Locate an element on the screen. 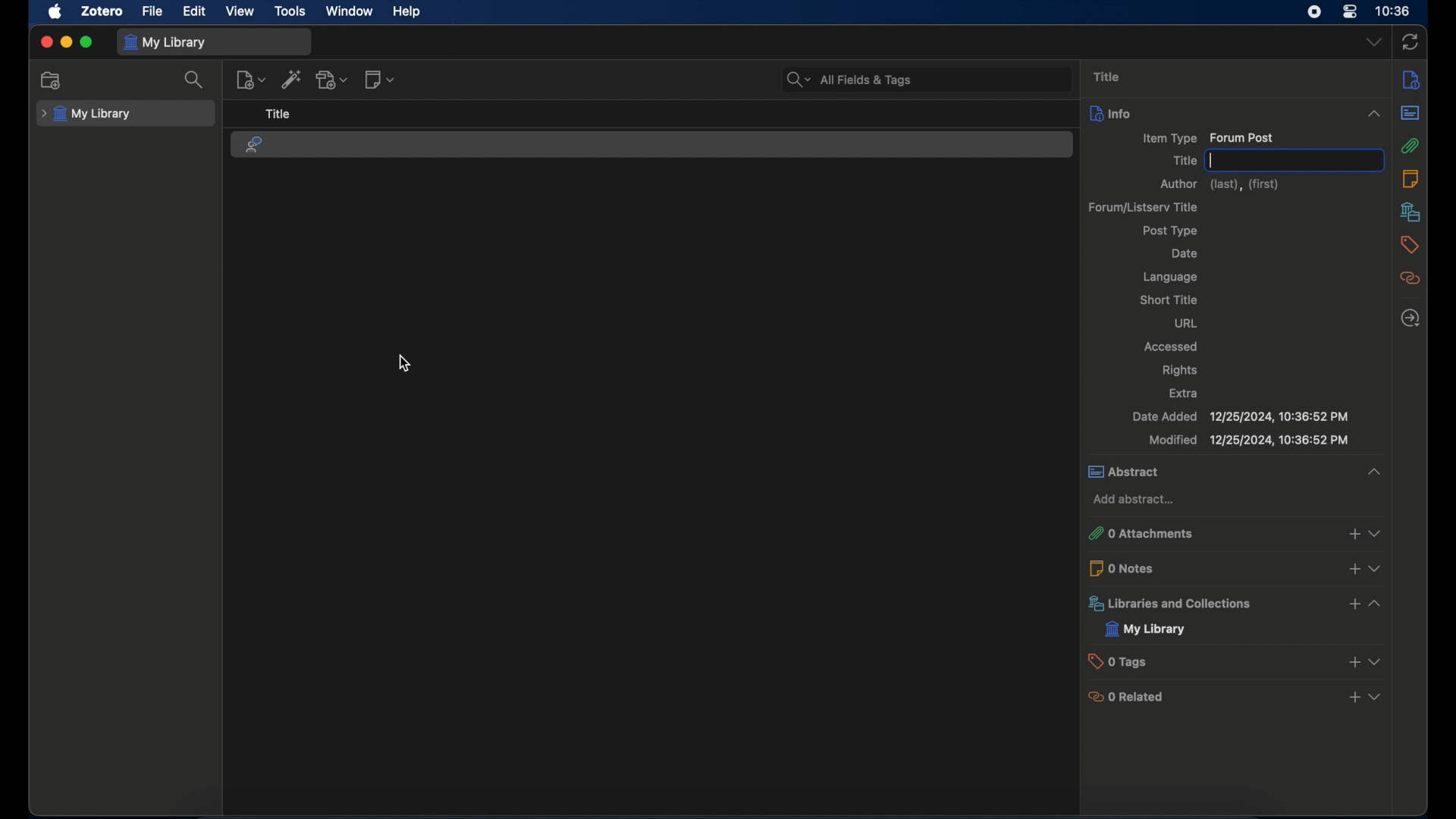 The width and height of the screenshot is (1456, 819). cursor is located at coordinates (406, 363).